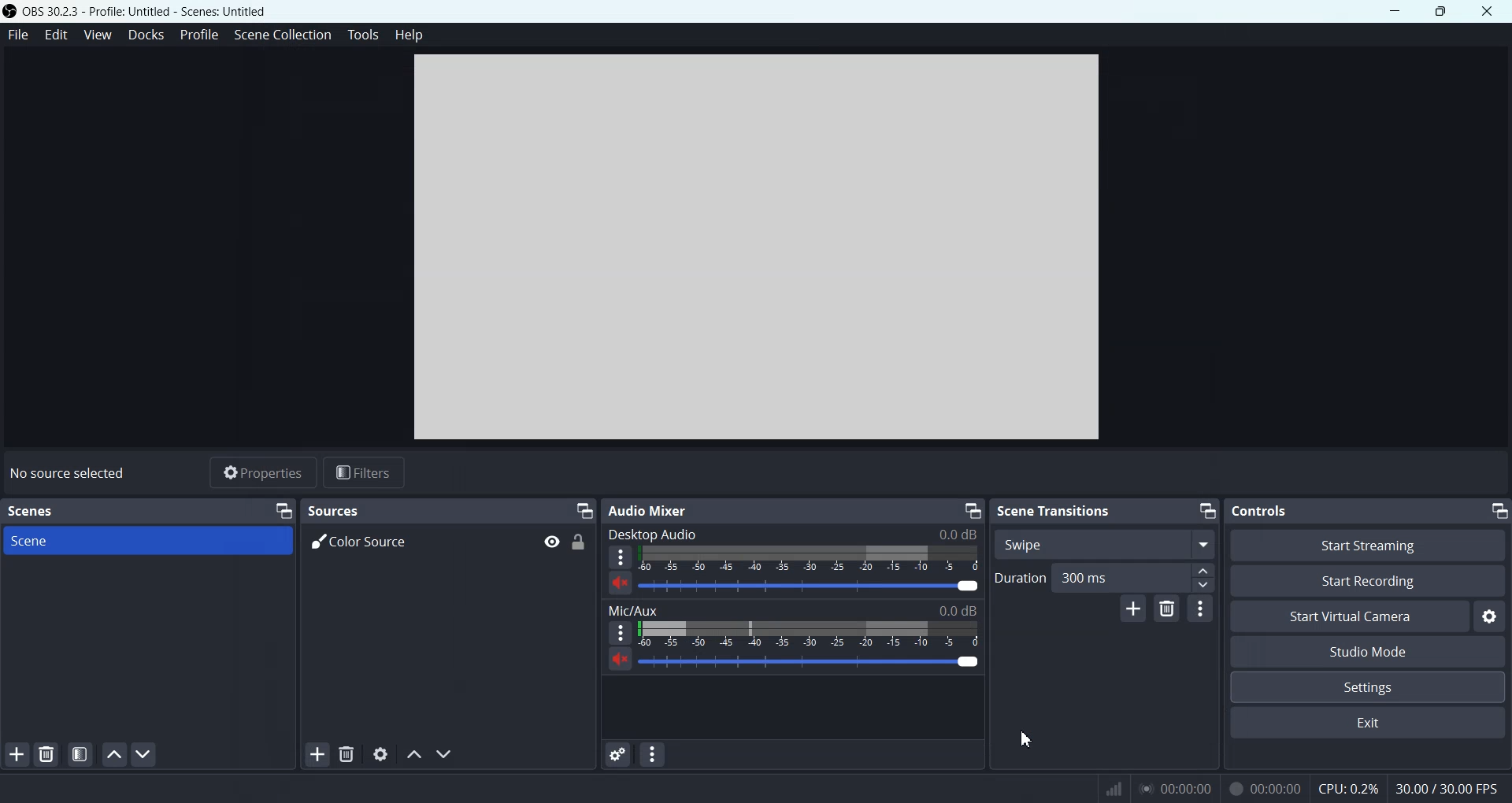 The width and height of the screenshot is (1512, 803). Describe the element at coordinates (143, 754) in the screenshot. I see `Move scene down` at that location.